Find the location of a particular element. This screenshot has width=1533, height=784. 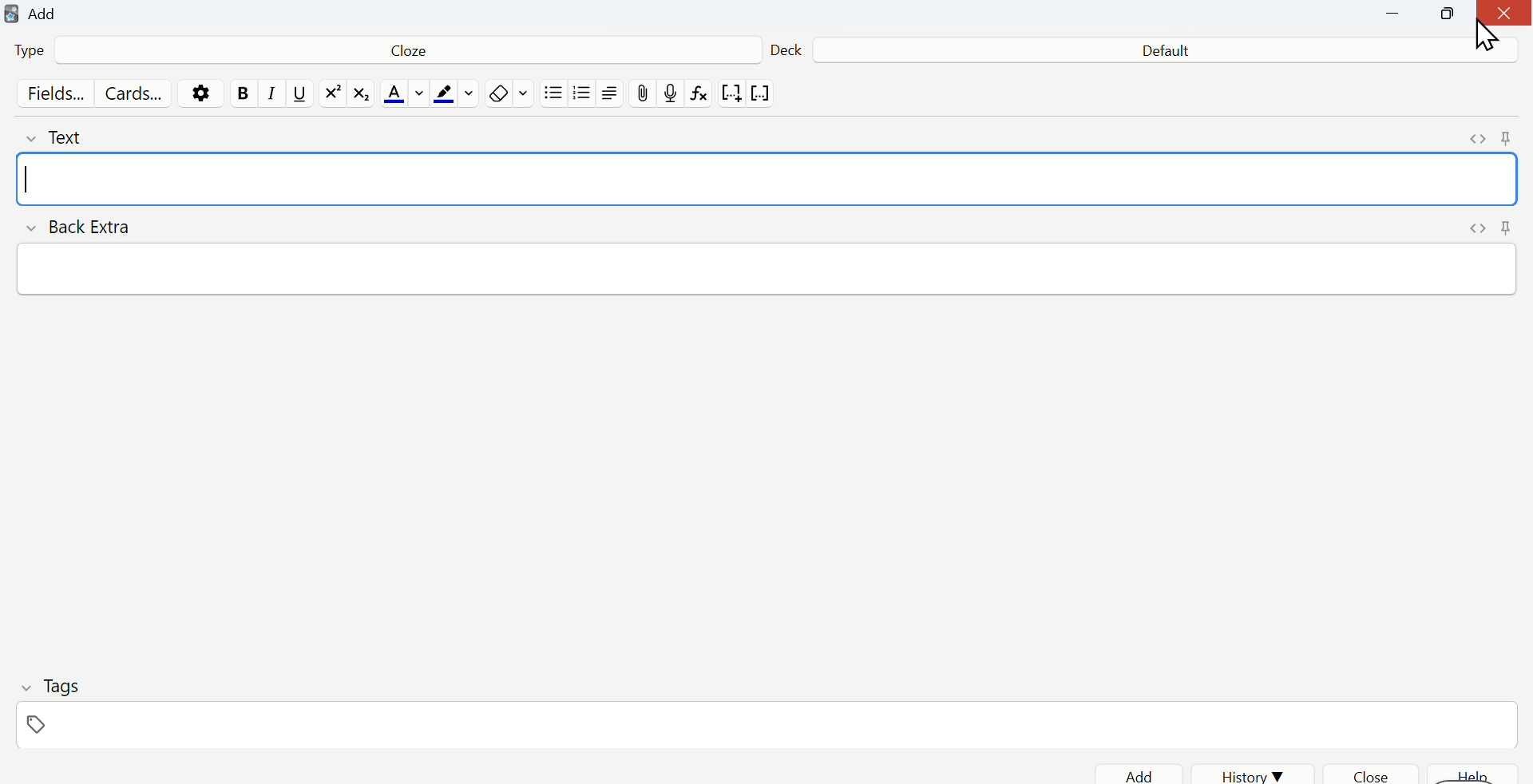

Text cursor is located at coordinates (30, 181).